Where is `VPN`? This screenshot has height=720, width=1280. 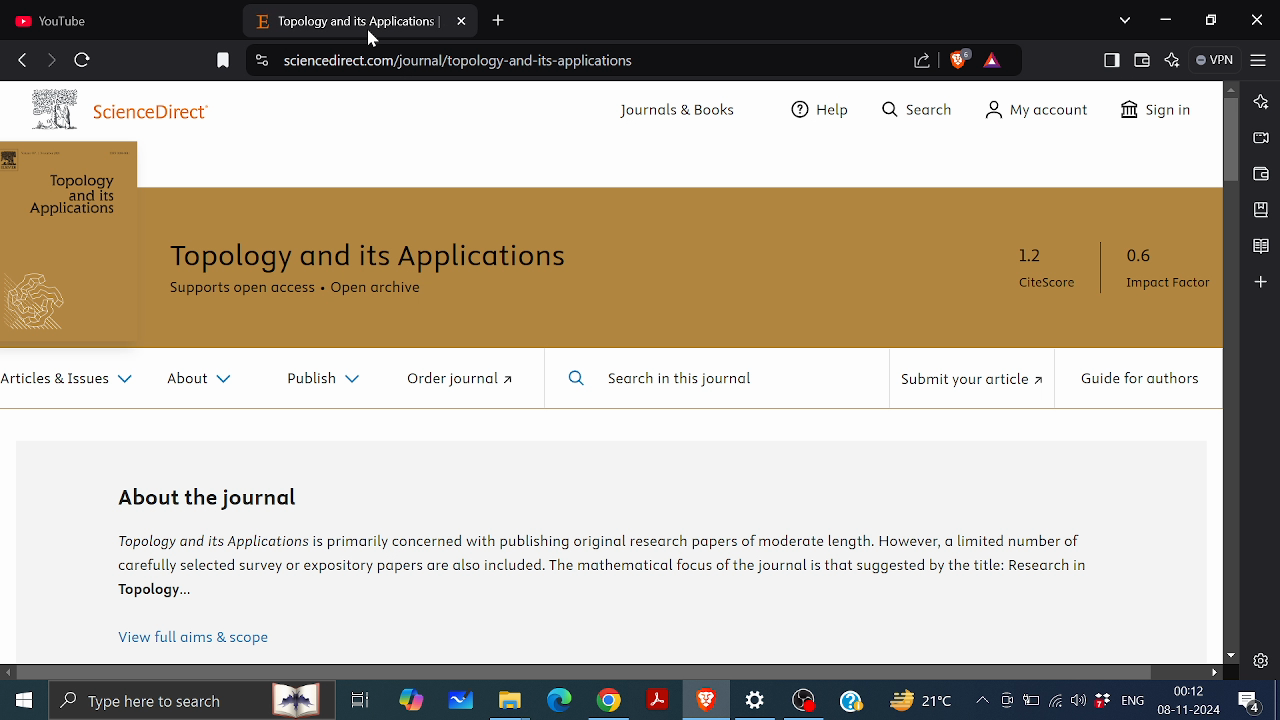 VPN is located at coordinates (1217, 60).